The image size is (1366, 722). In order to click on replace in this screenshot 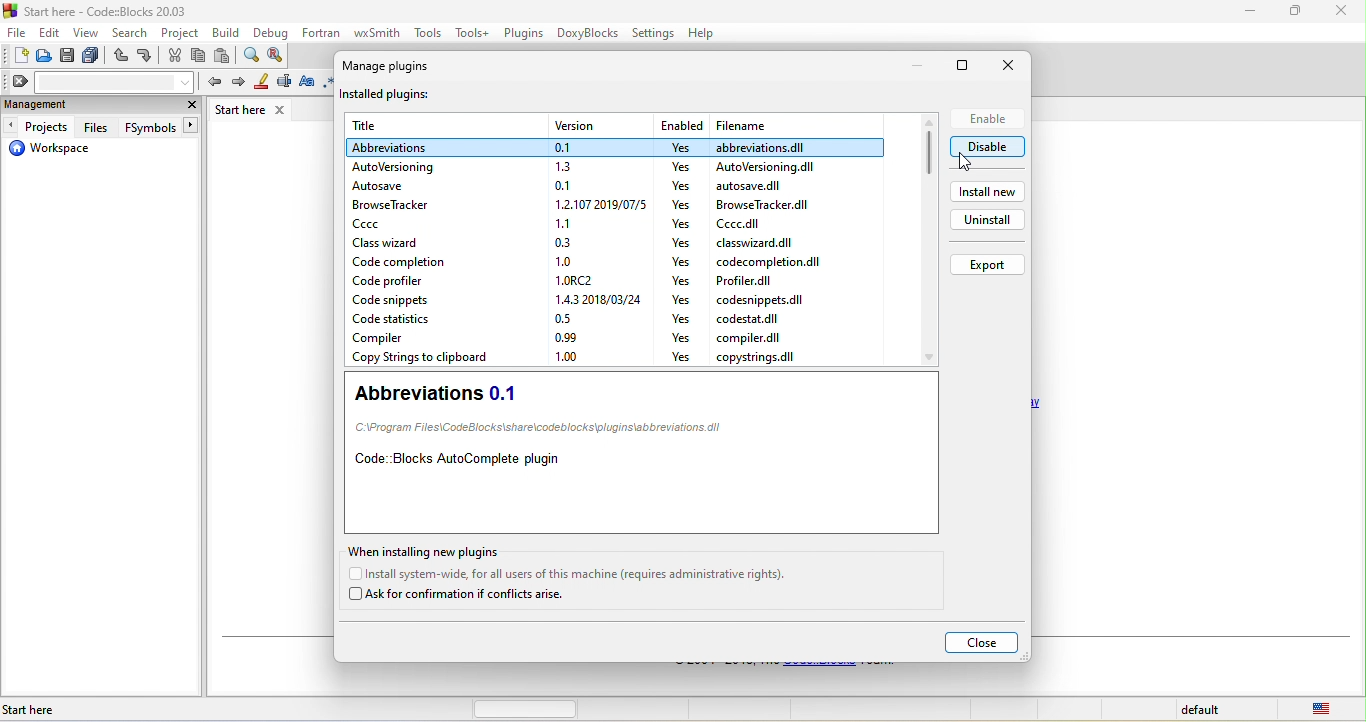, I will do `click(278, 54)`.